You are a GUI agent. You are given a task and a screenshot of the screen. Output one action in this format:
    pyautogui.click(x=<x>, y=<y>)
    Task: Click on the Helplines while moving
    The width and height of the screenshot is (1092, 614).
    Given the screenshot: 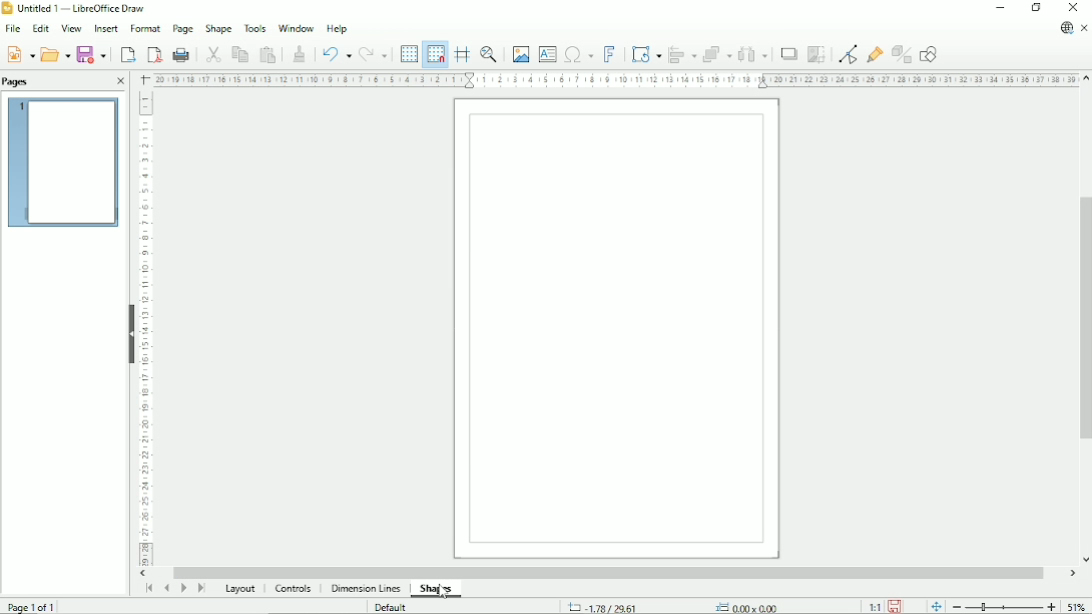 What is the action you would take?
    pyautogui.click(x=461, y=53)
    